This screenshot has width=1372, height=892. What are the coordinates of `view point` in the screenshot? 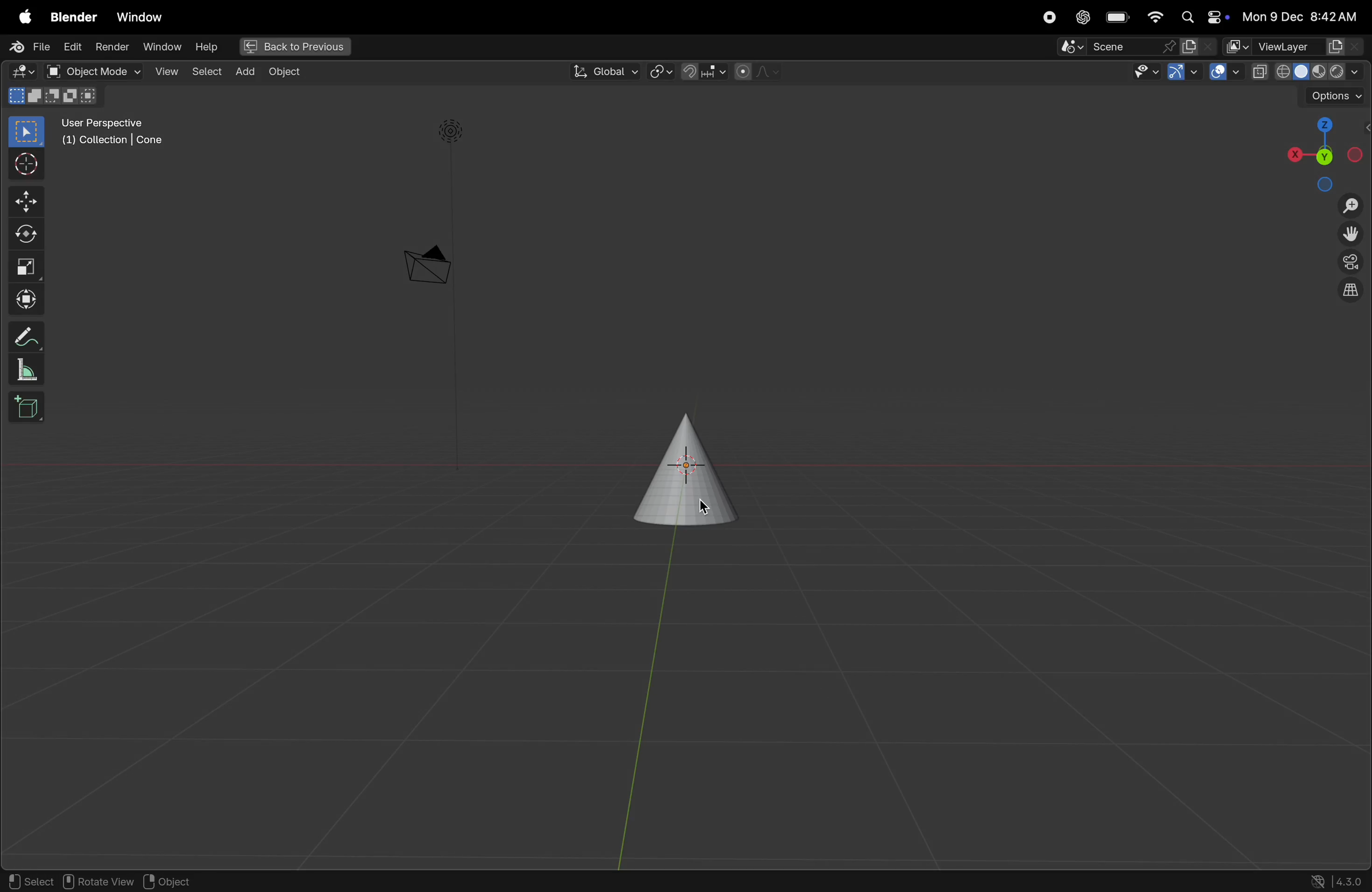 It's located at (1319, 151).